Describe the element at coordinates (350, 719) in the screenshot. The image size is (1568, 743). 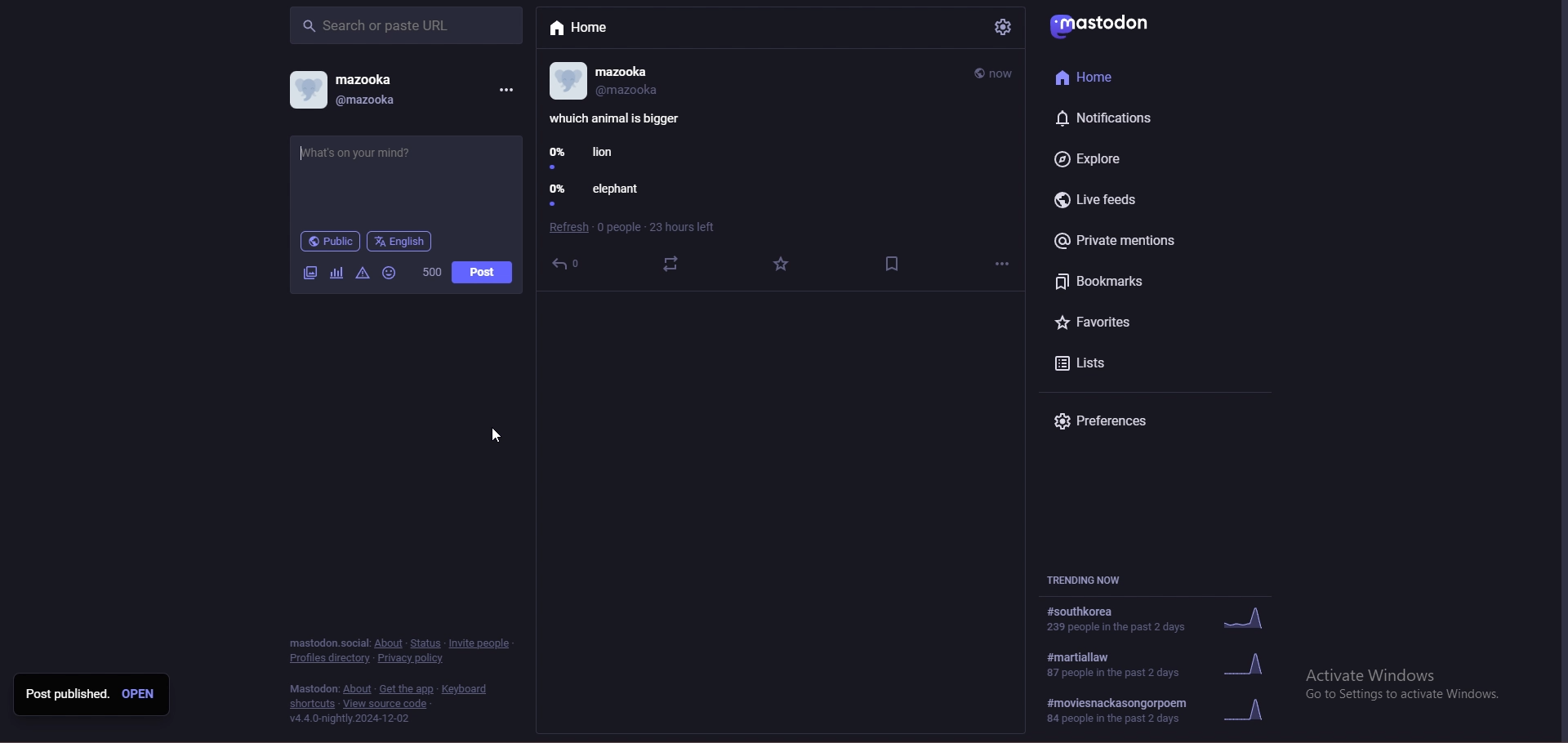
I see `v4.4.0-nightly.2024-12-02` at that location.